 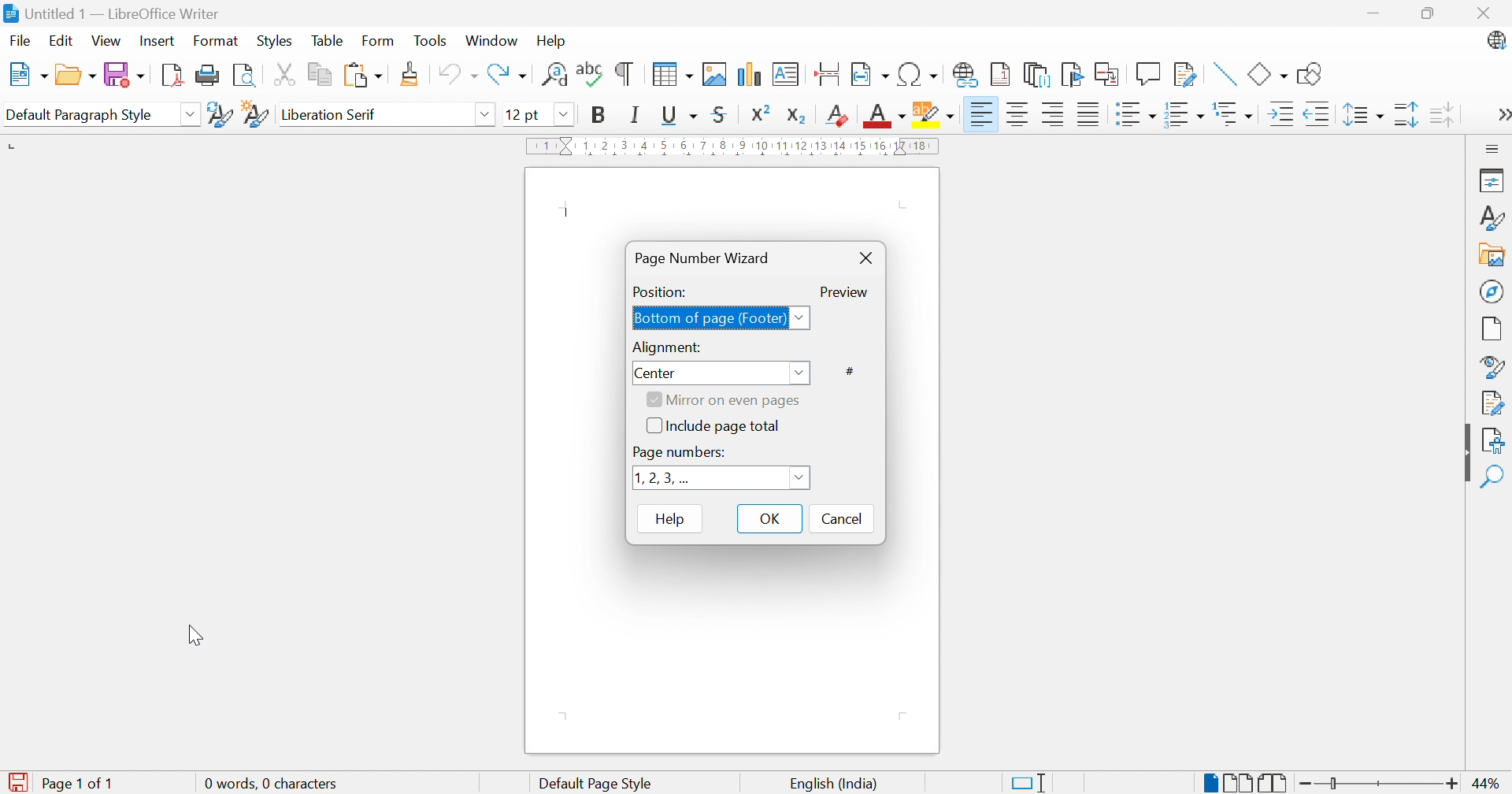 What do you see at coordinates (683, 451) in the screenshot?
I see `Page numbers:` at bounding box center [683, 451].